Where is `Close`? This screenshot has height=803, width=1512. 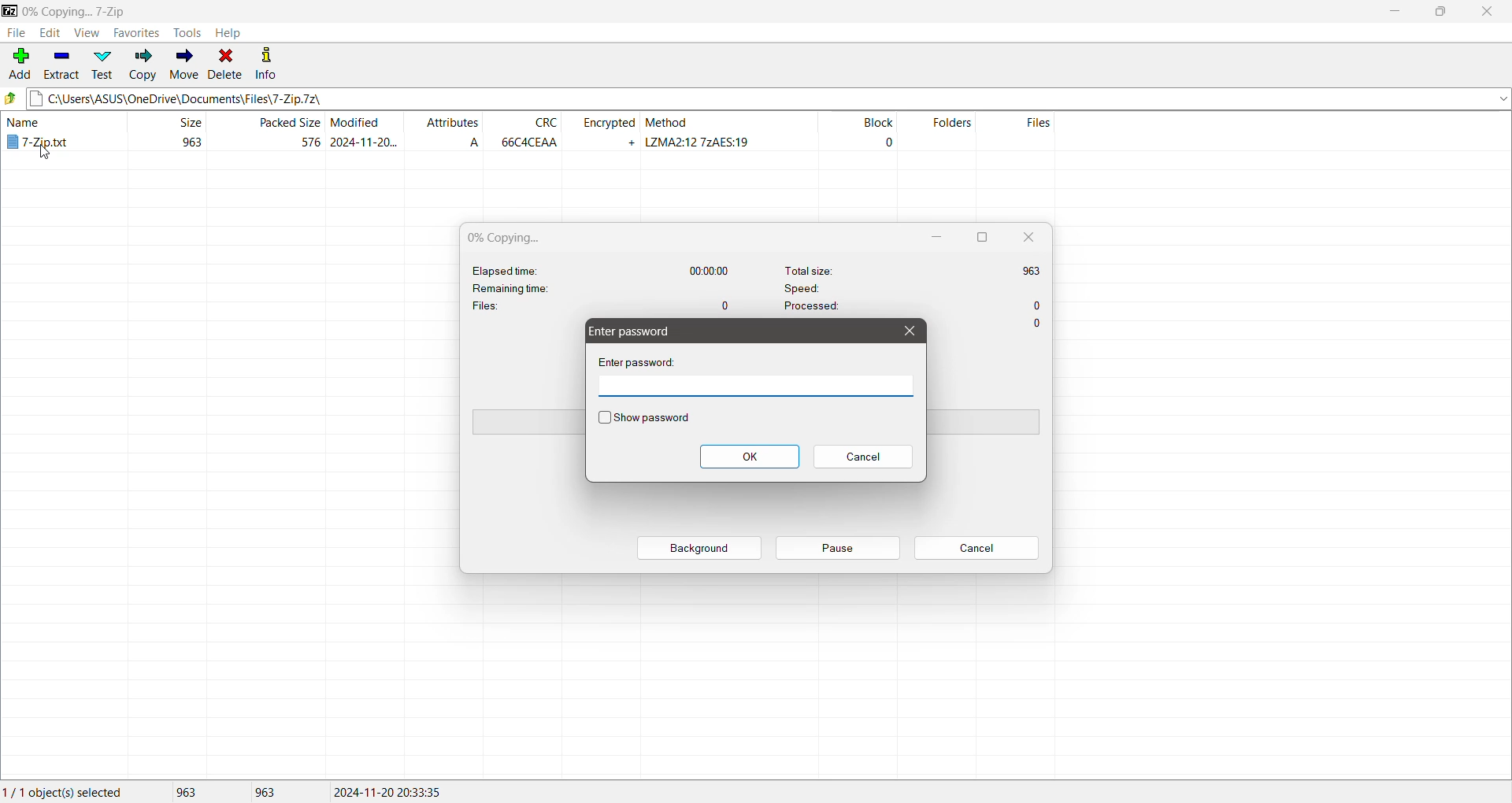 Close is located at coordinates (1489, 12).